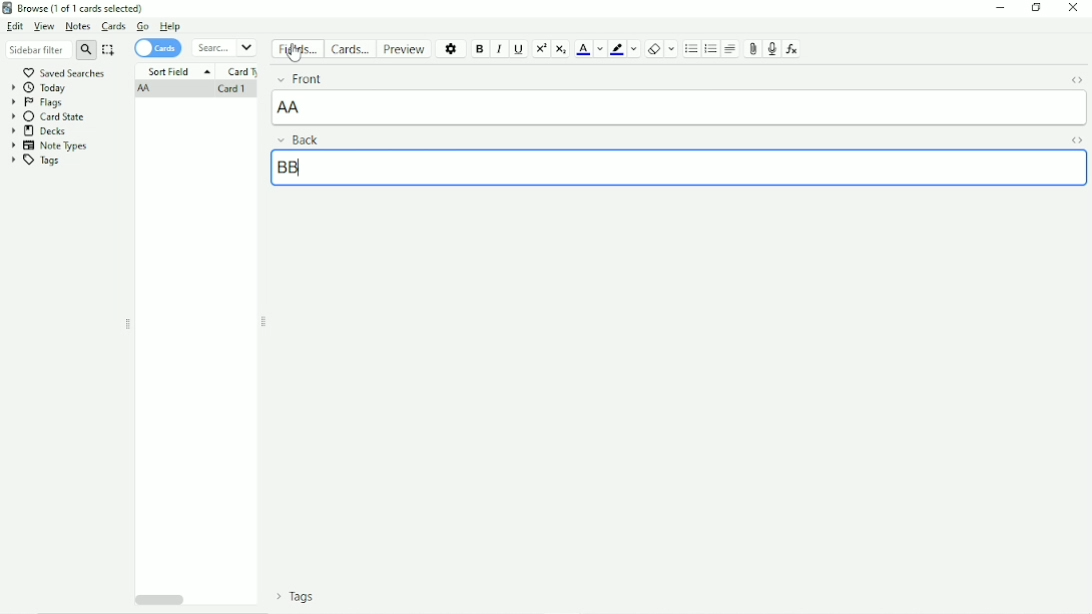 The width and height of the screenshot is (1092, 614). What do you see at coordinates (599, 49) in the screenshot?
I see `Change color` at bounding box center [599, 49].